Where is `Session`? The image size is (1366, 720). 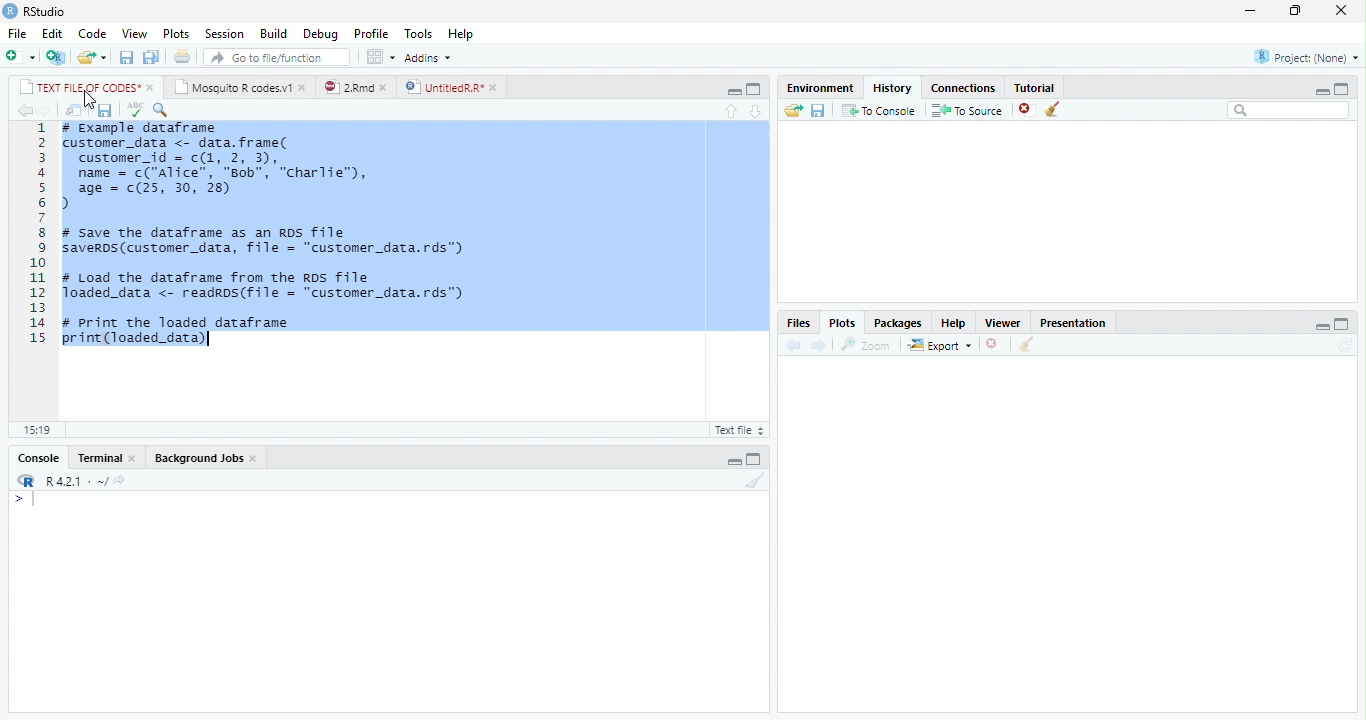 Session is located at coordinates (222, 35).